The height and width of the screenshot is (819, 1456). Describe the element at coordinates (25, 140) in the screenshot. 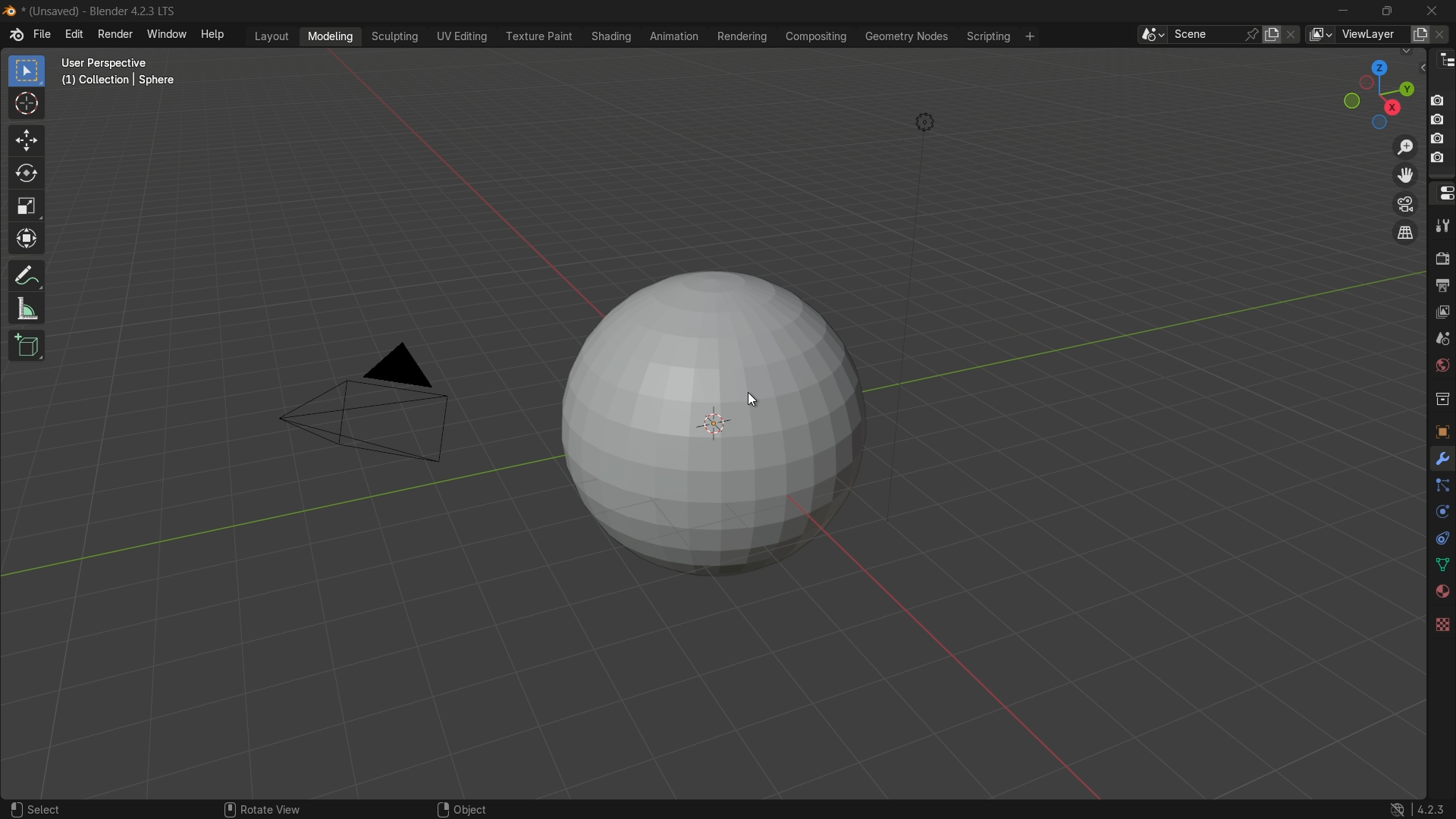

I see `move` at that location.